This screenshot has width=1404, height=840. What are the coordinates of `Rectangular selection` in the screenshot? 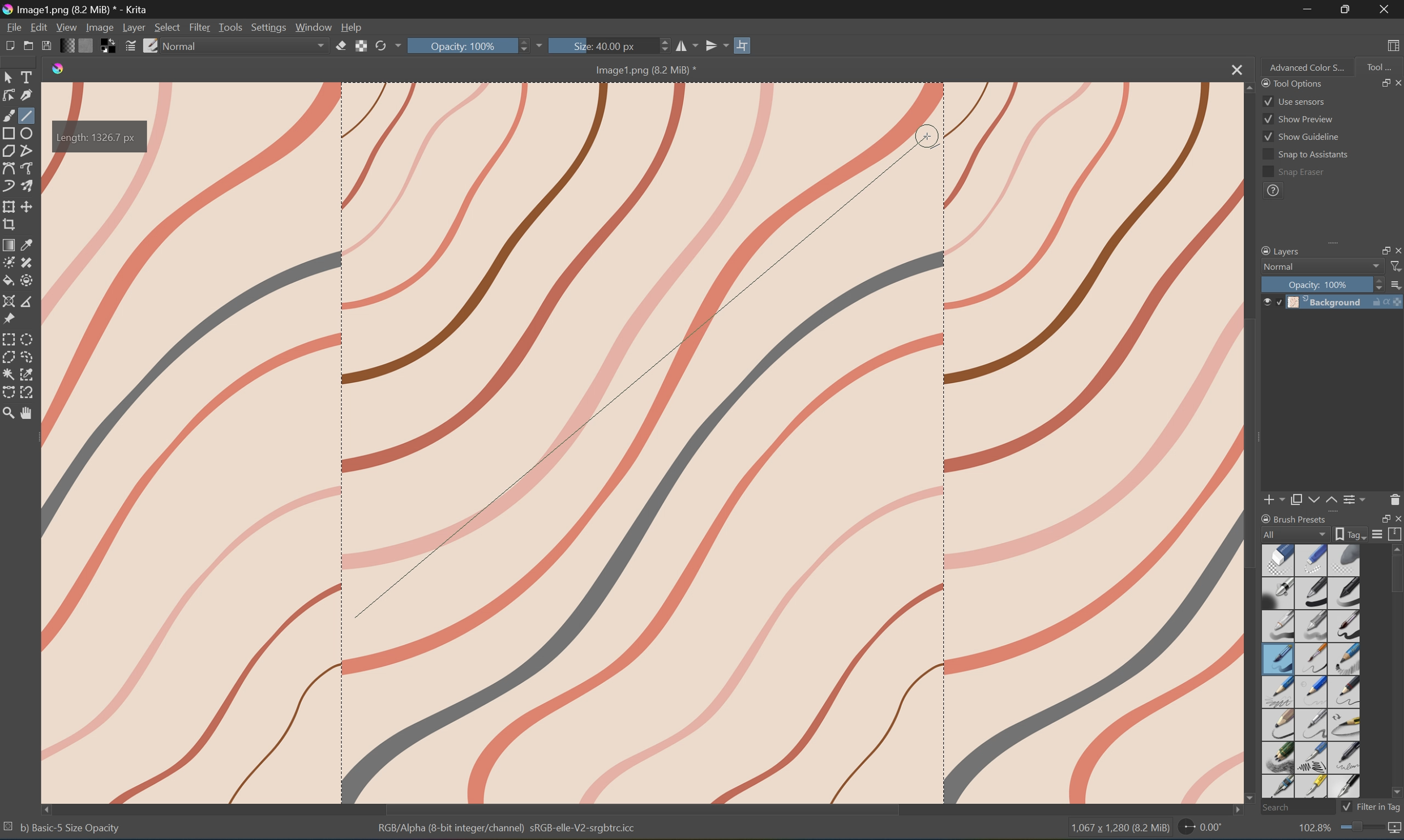 It's located at (9, 339).